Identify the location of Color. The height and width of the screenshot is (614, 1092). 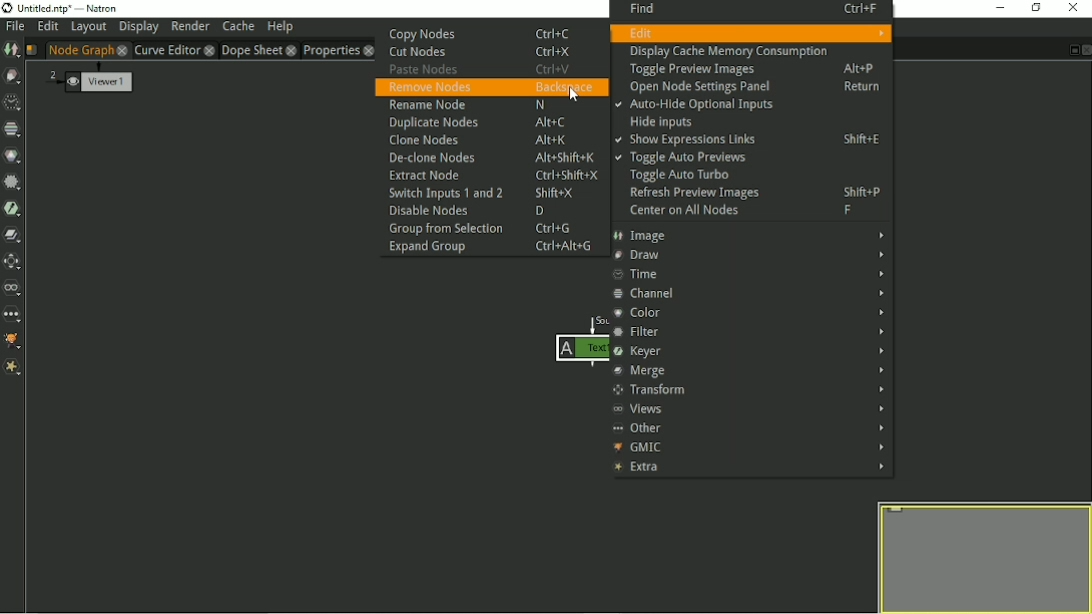
(749, 312).